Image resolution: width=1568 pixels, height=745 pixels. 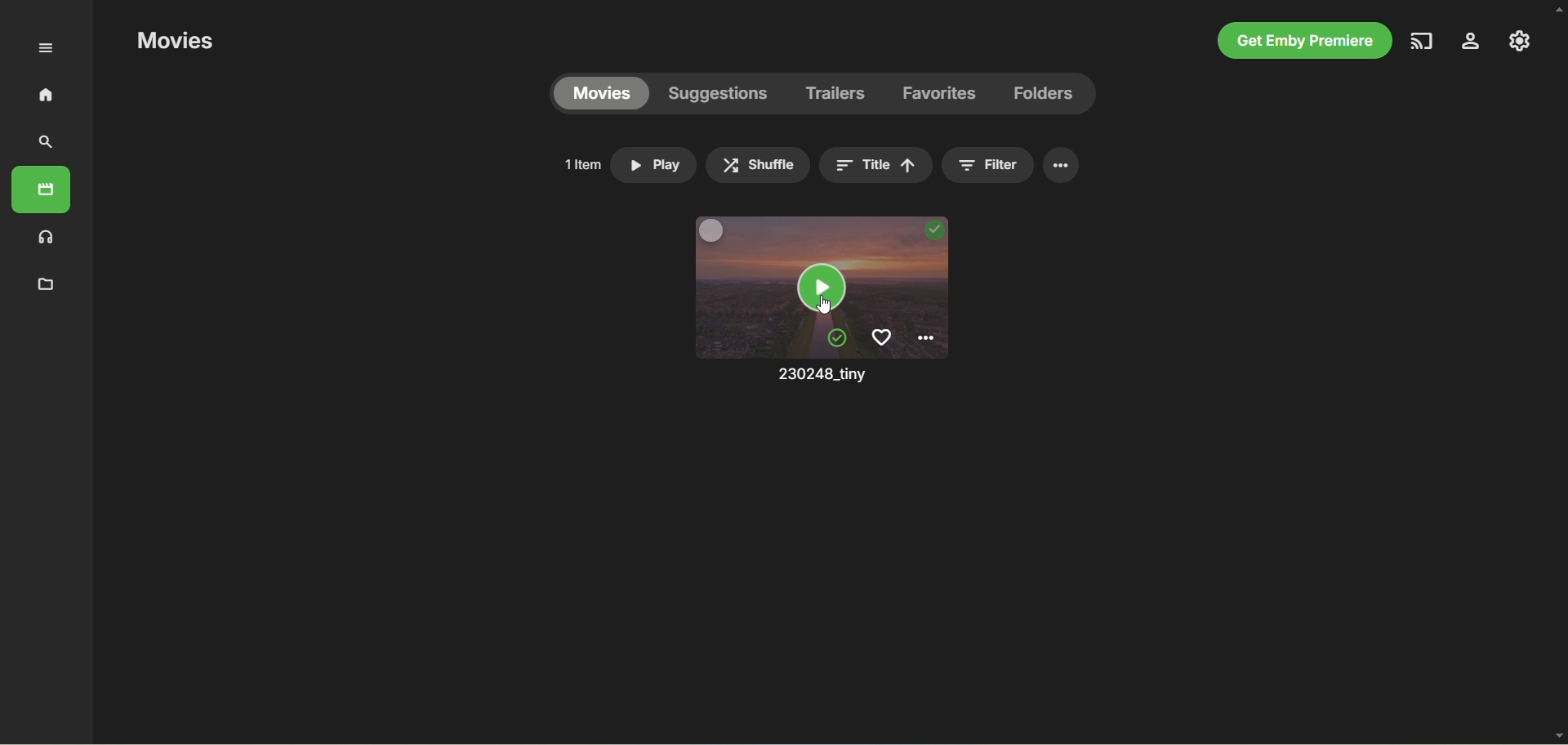 I want to click on favorites, so click(x=942, y=96).